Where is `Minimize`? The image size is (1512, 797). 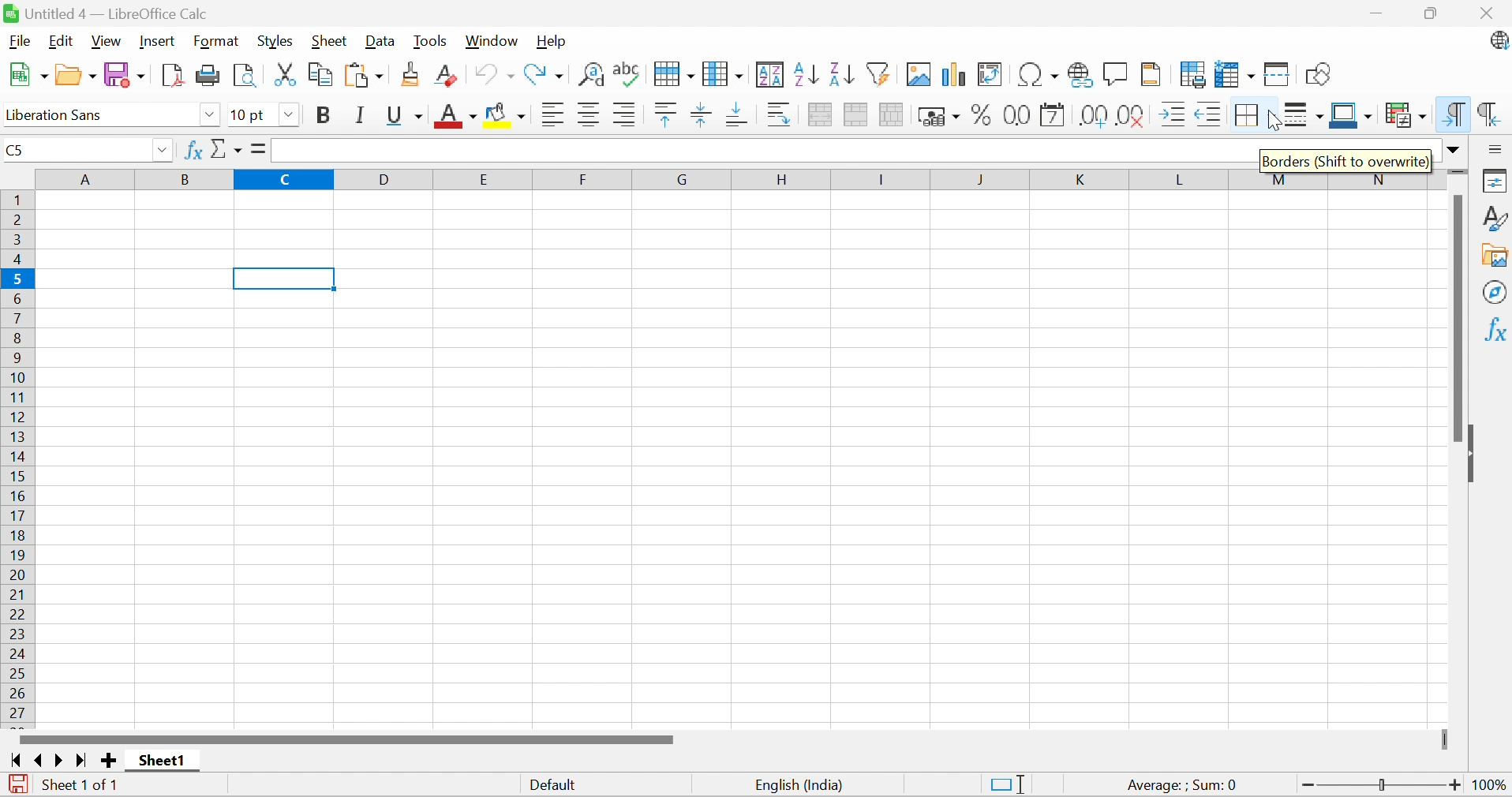
Minimize is located at coordinates (1379, 16).